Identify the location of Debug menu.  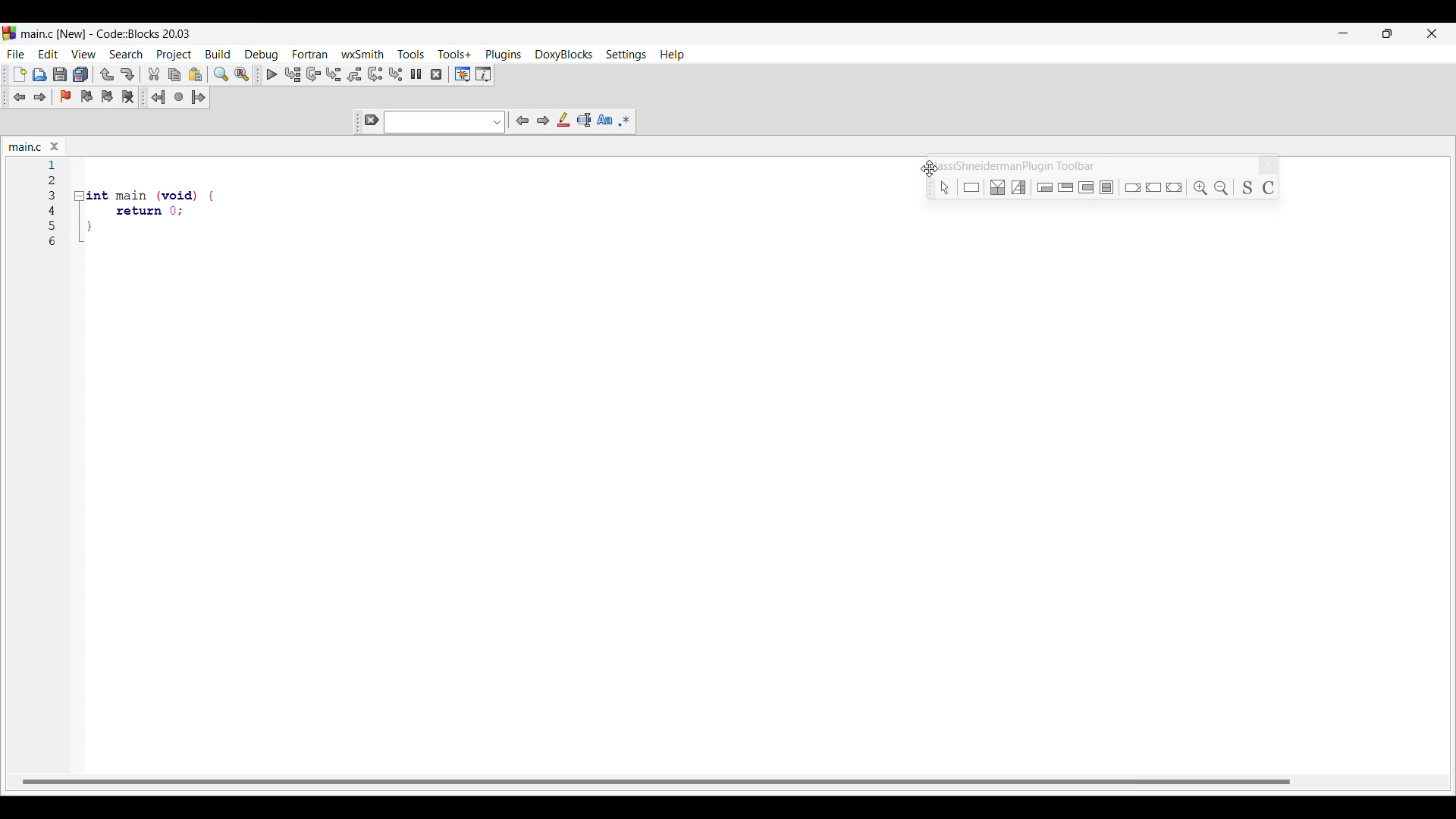
(262, 55).